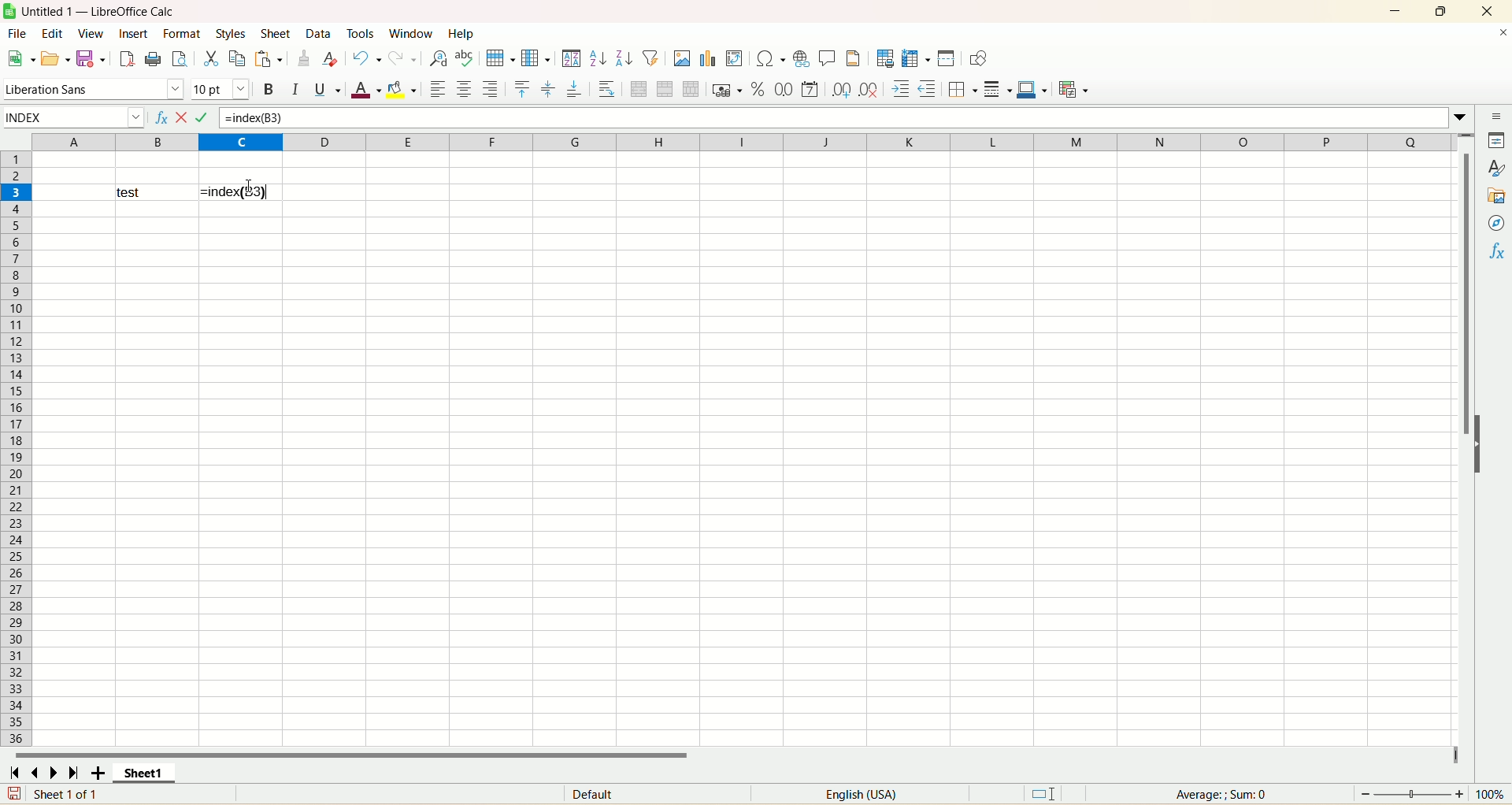 This screenshot has height=805, width=1512. What do you see at coordinates (1495, 195) in the screenshot?
I see `gallery` at bounding box center [1495, 195].